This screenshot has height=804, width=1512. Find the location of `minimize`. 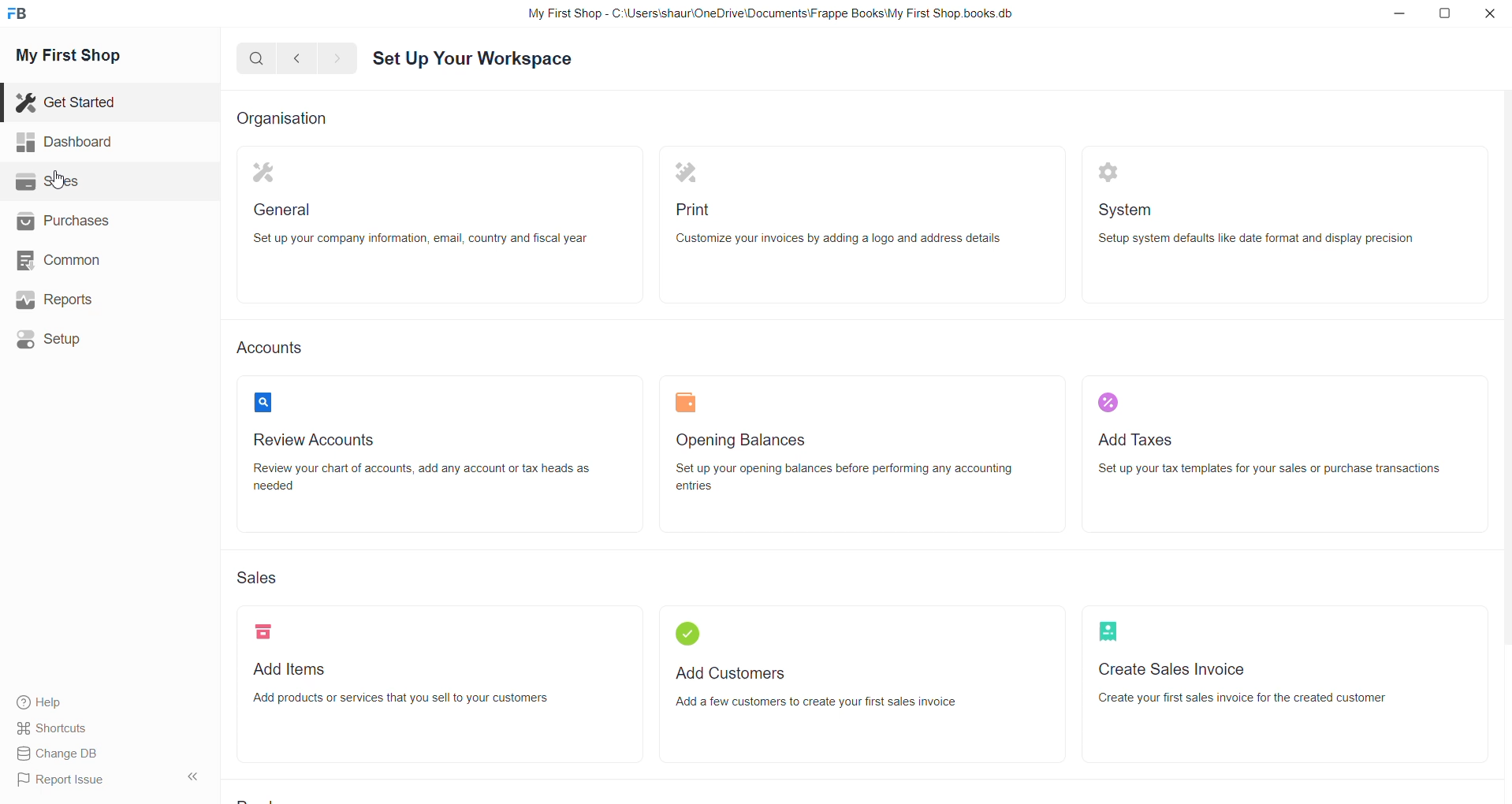

minimize is located at coordinates (1406, 20).